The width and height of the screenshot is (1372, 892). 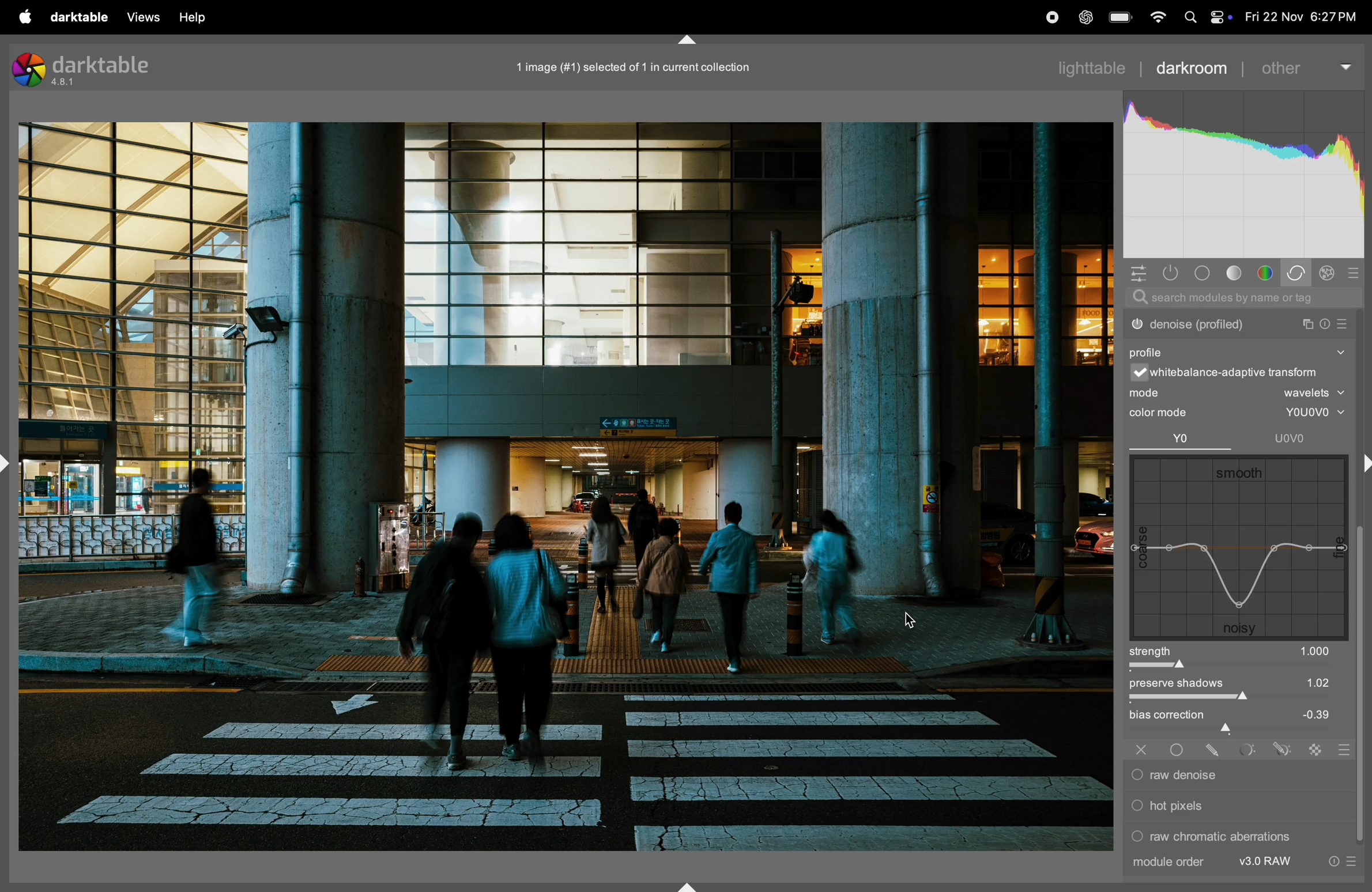 What do you see at coordinates (1308, 413) in the screenshot?
I see `youovo` at bounding box center [1308, 413].